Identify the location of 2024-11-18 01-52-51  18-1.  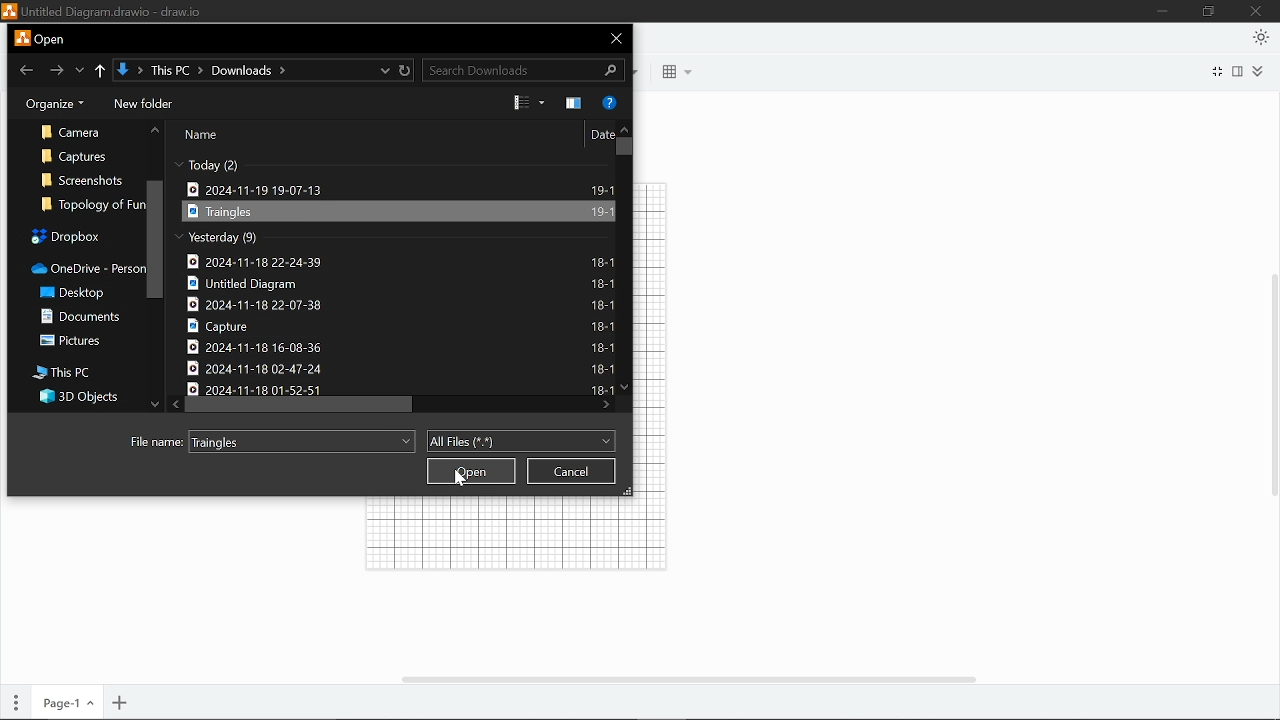
(399, 387).